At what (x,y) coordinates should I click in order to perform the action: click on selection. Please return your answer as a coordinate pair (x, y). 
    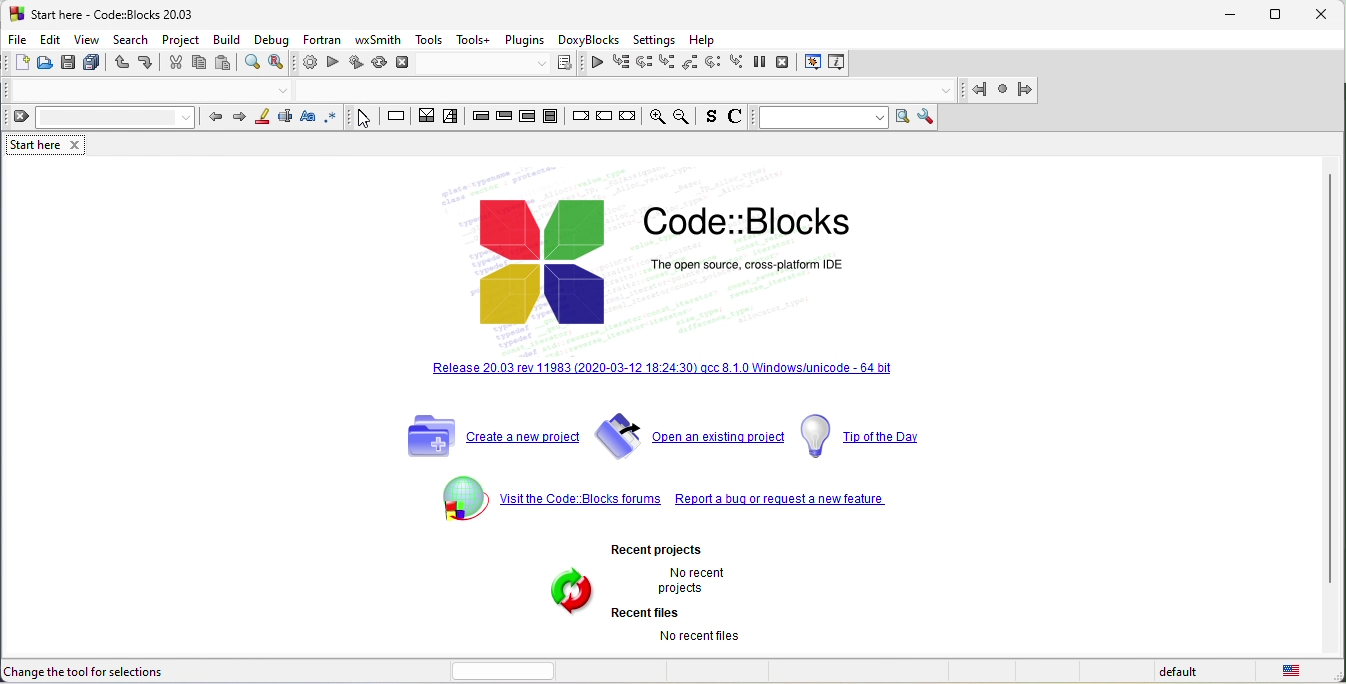
    Looking at the image, I should click on (454, 117).